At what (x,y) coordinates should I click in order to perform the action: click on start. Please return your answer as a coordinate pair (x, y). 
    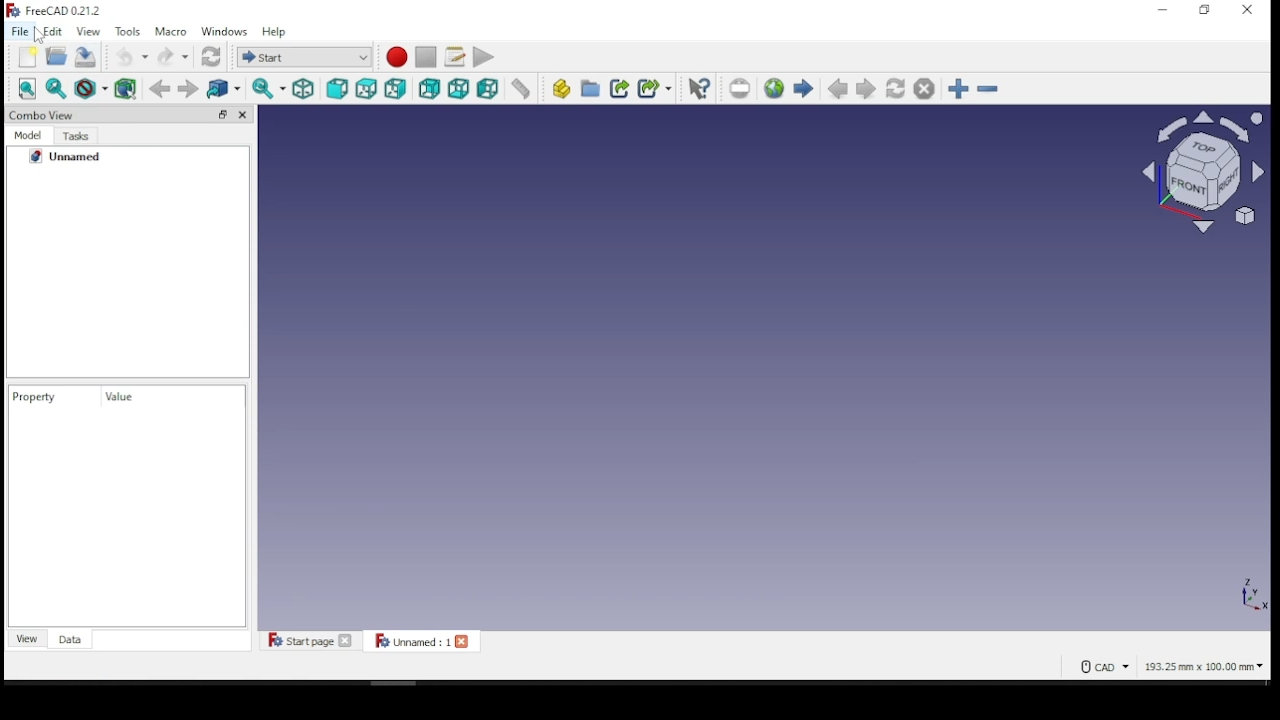
    Looking at the image, I should click on (305, 57).